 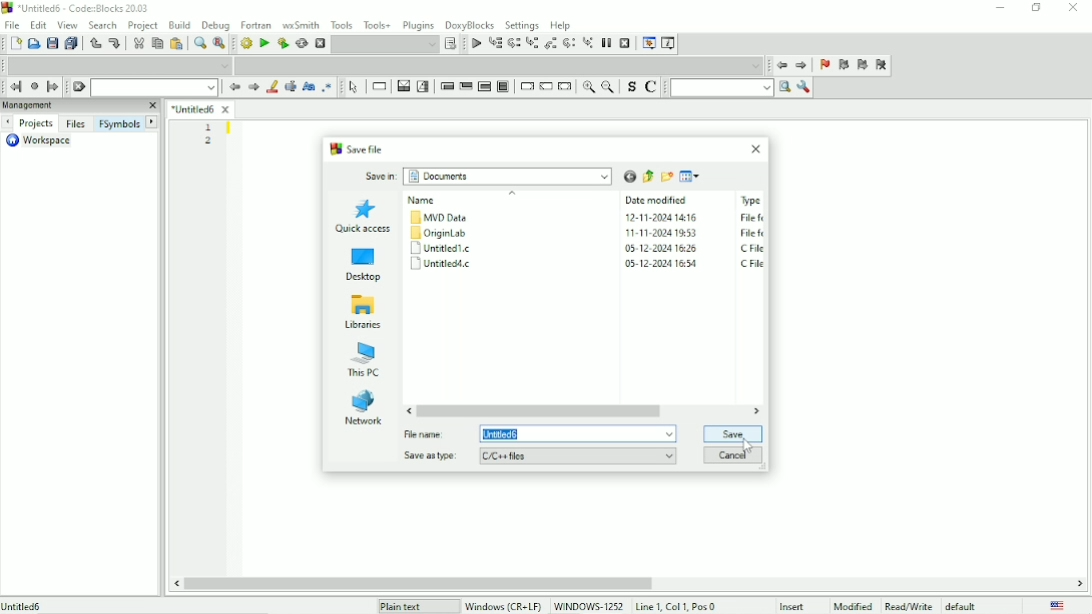 What do you see at coordinates (308, 87) in the screenshot?
I see `Match case` at bounding box center [308, 87].